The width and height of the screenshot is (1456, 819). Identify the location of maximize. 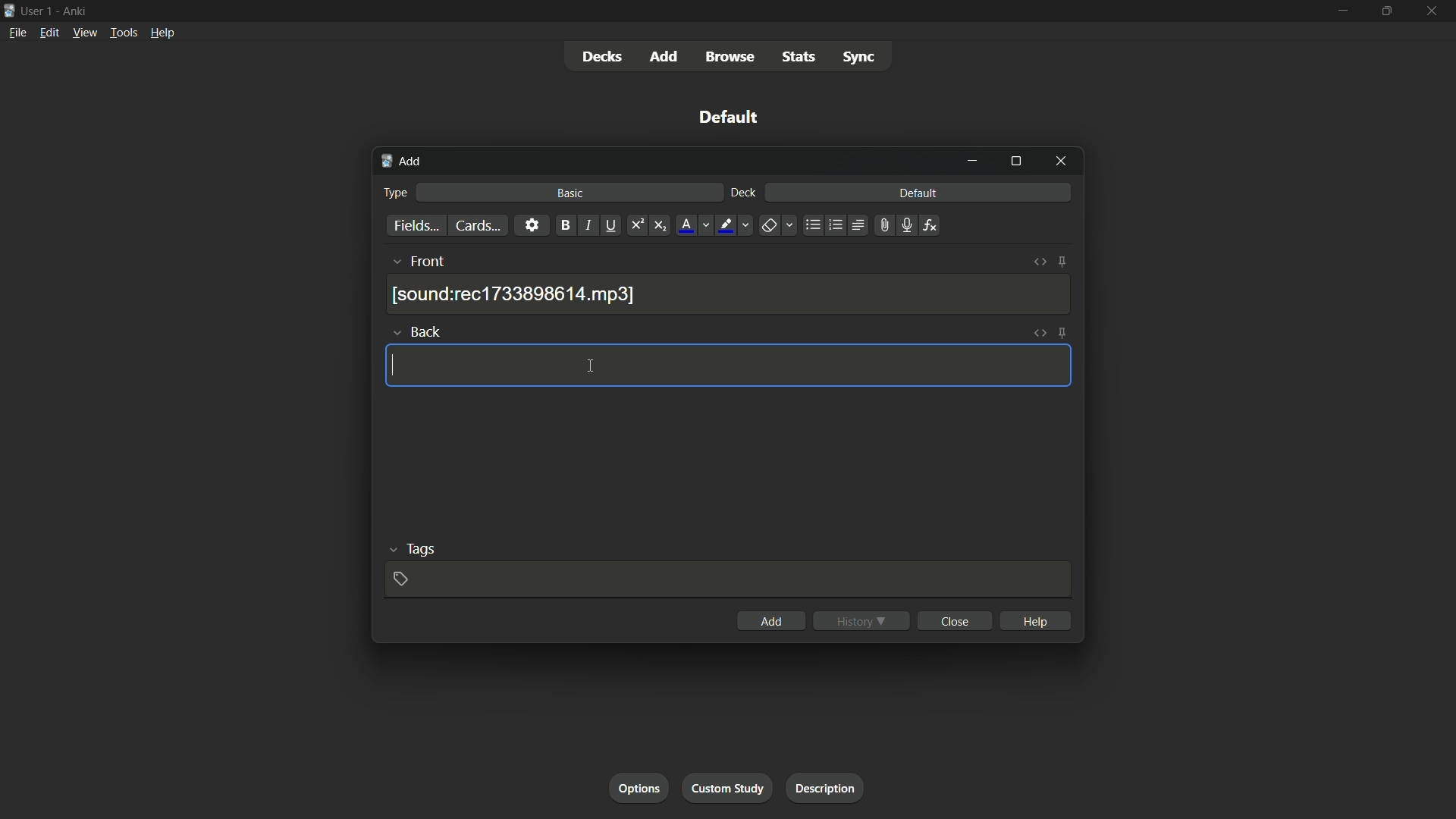
(1387, 11).